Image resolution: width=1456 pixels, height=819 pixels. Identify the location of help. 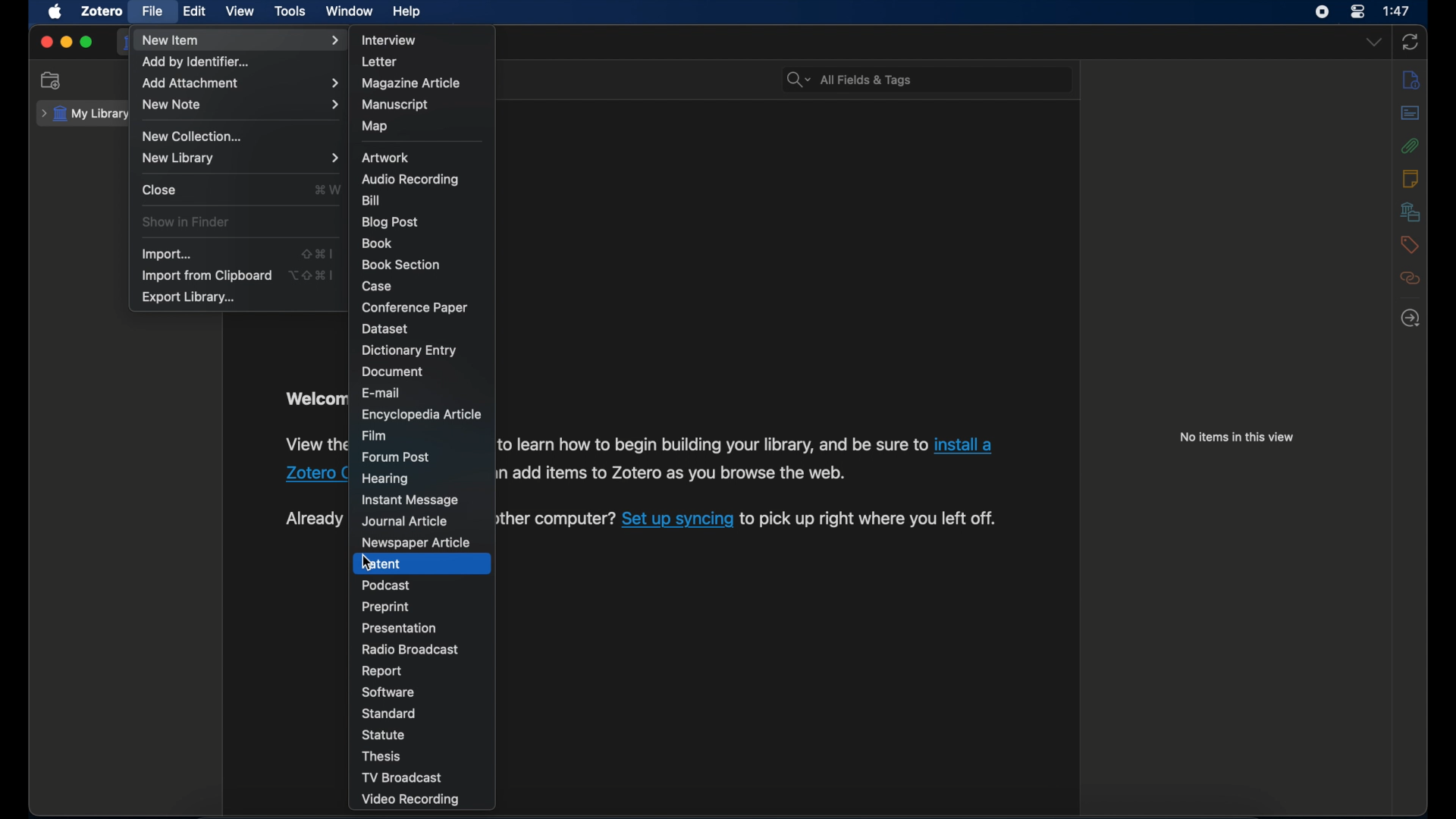
(406, 12).